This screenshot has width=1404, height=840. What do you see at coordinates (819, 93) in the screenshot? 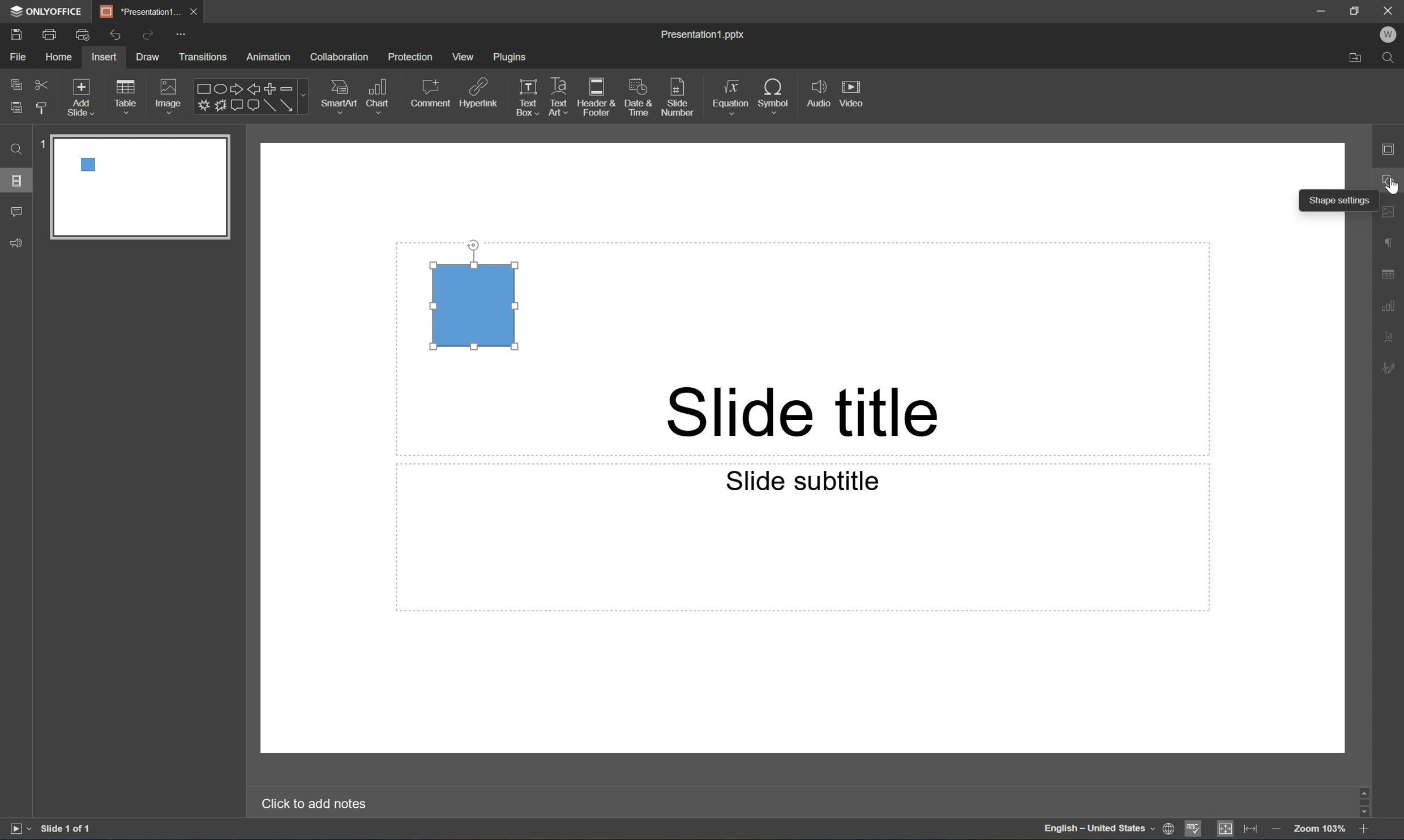
I see `Audio` at bounding box center [819, 93].